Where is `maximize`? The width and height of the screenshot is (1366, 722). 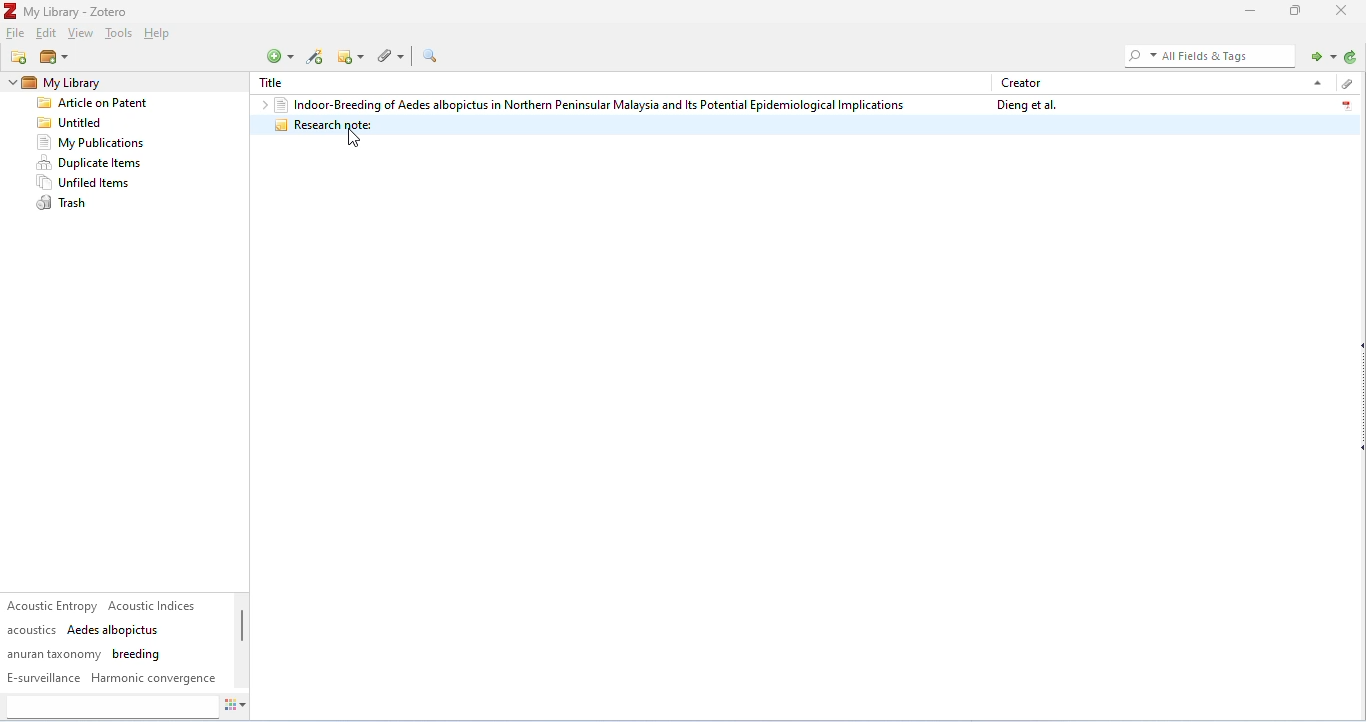
maximize is located at coordinates (1296, 10).